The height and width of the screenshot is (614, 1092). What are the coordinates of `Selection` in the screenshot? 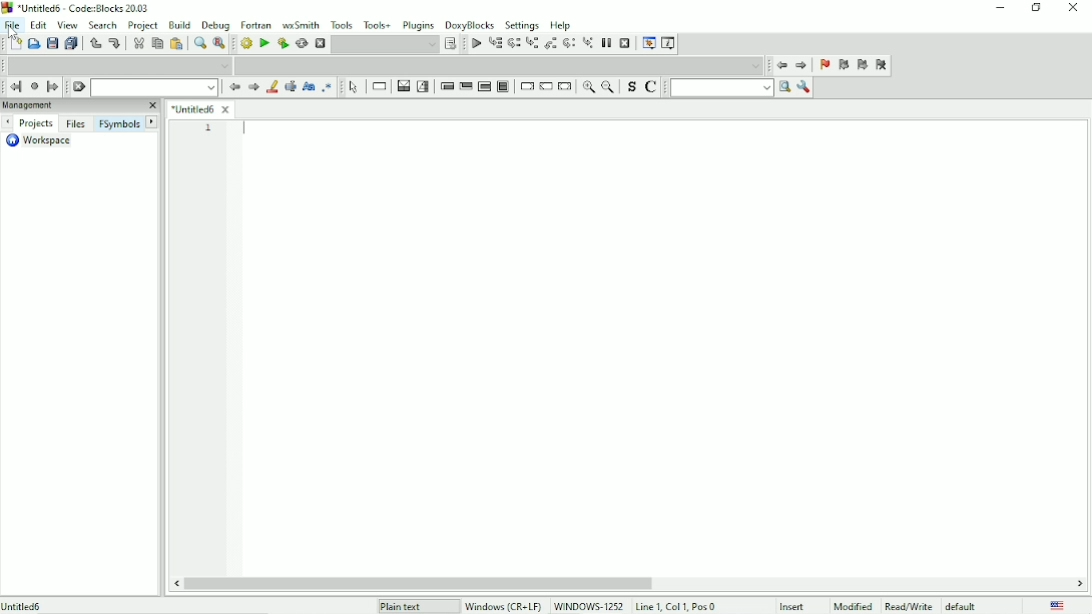 It's located at (424, 86).